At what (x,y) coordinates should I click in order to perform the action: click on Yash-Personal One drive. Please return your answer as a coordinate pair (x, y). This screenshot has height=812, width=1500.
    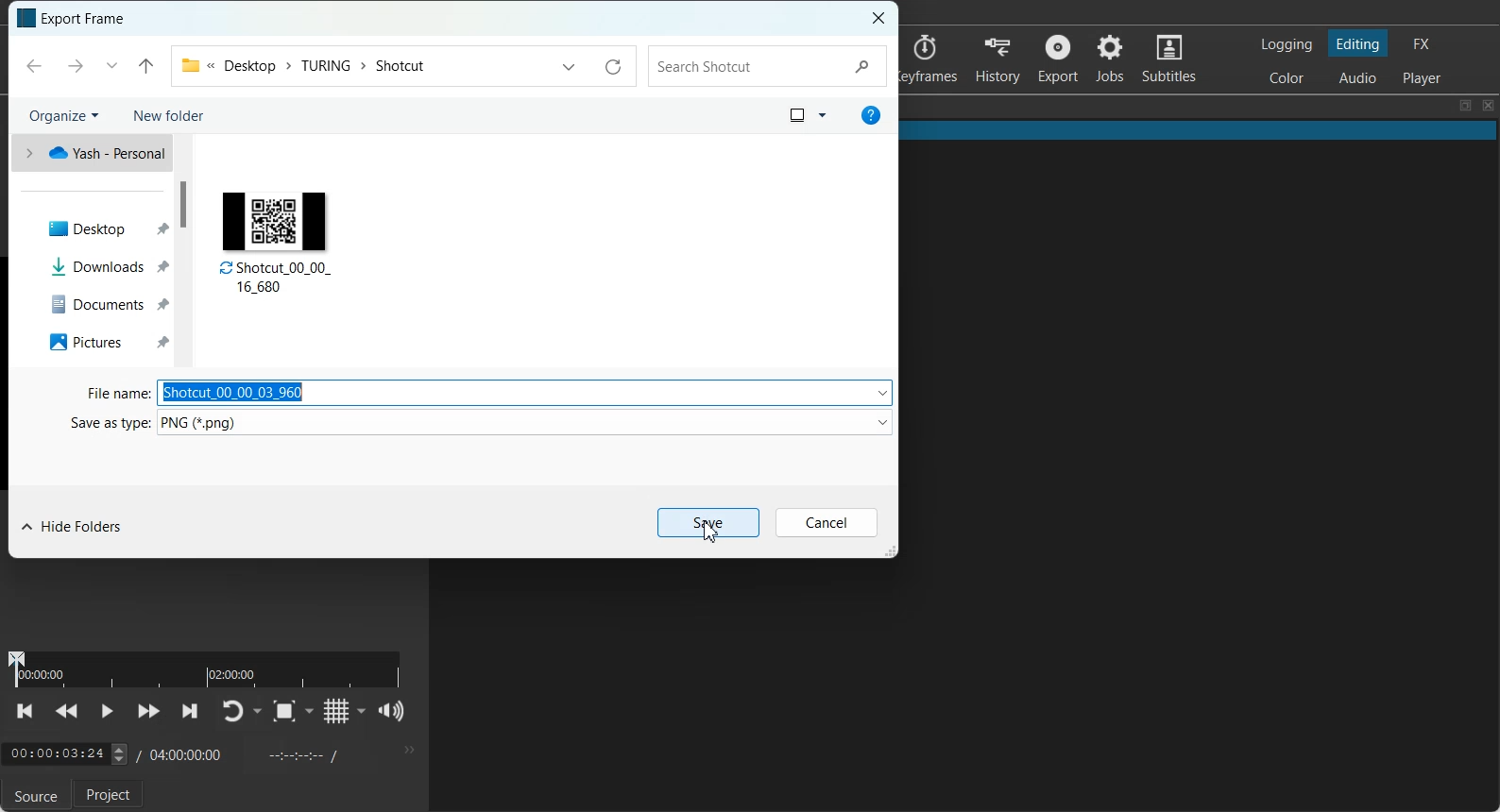
    Looking at the image, I should click on (88, 154).